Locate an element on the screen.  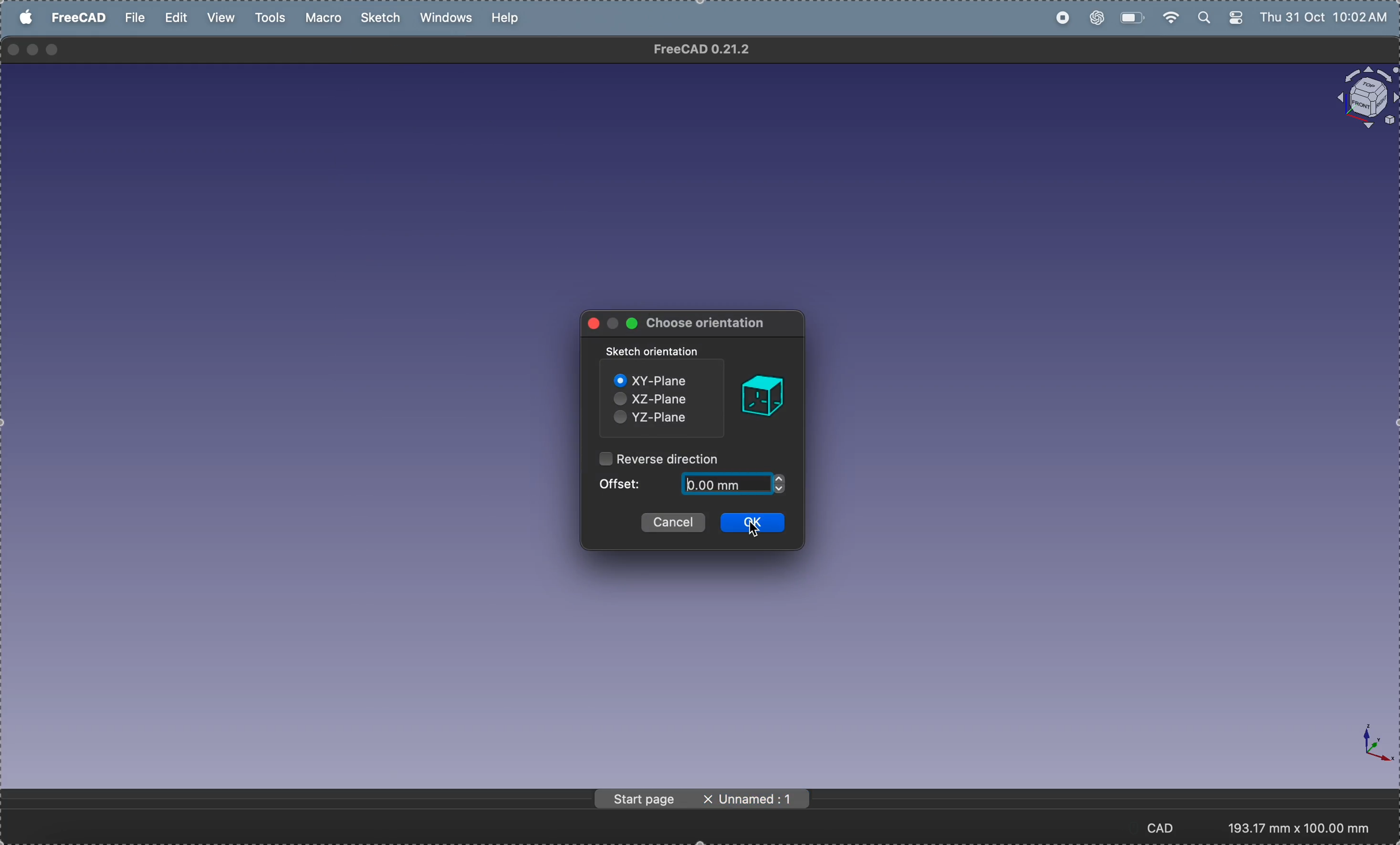
view is located at coordinates (219, 18).